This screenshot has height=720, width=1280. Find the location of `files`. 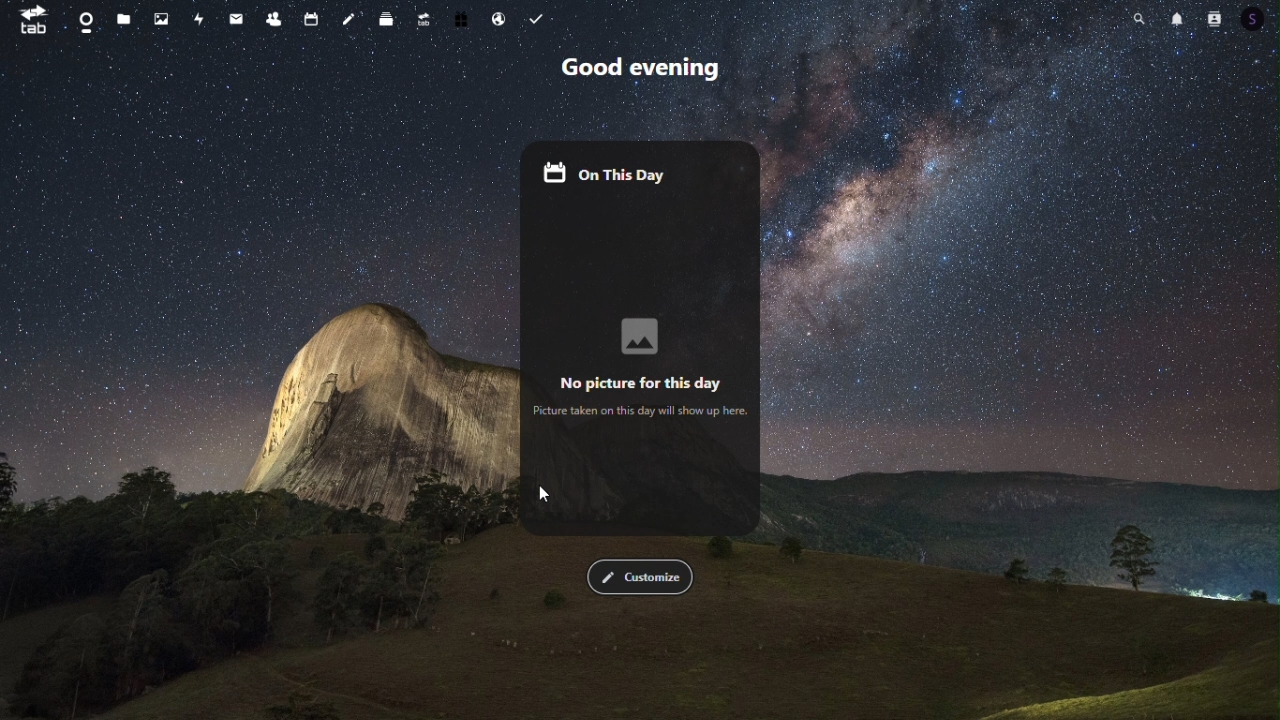

files is located at coordinates (124, 20).